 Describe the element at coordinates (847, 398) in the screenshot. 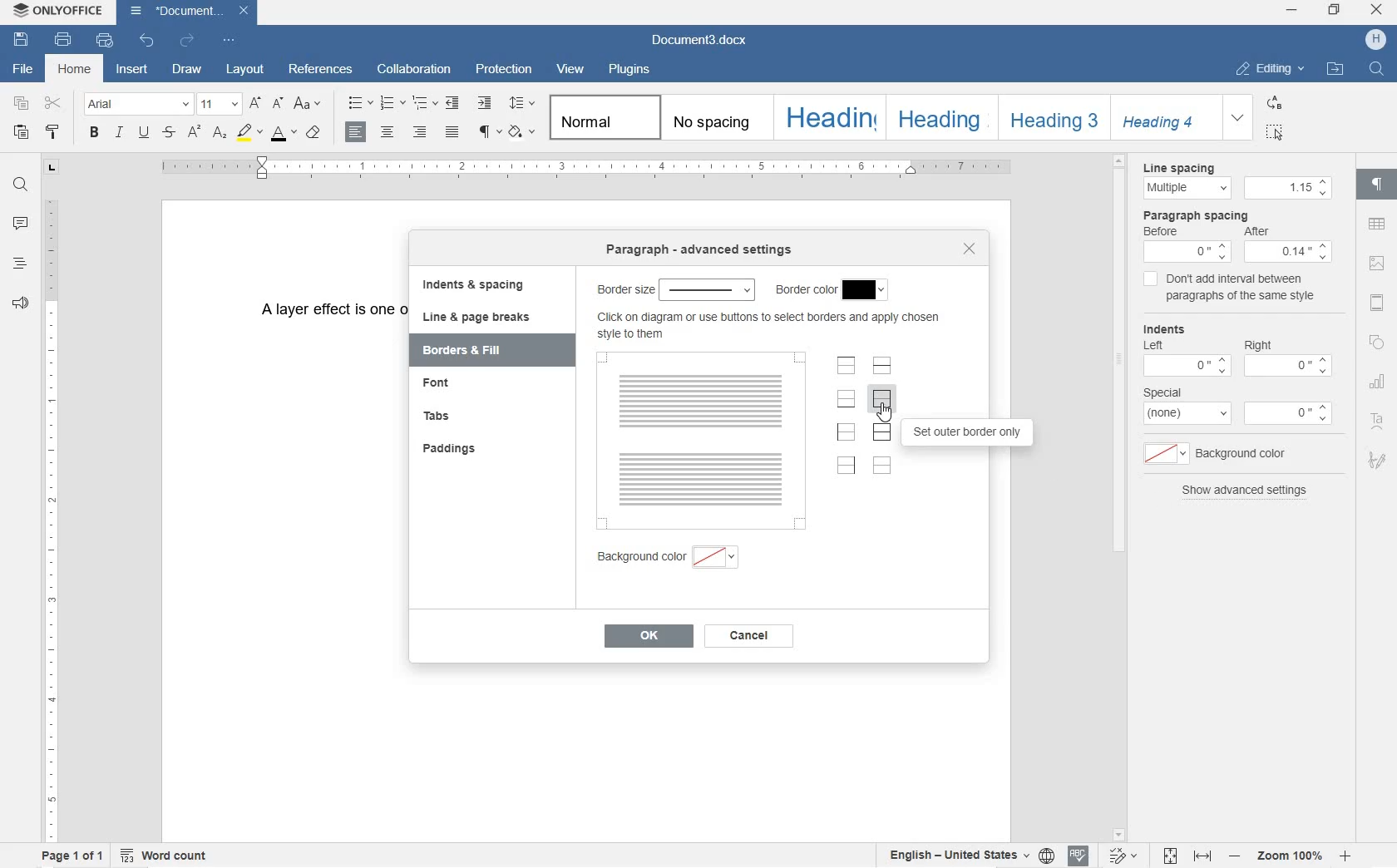

I see `set bottom border only` at that location.